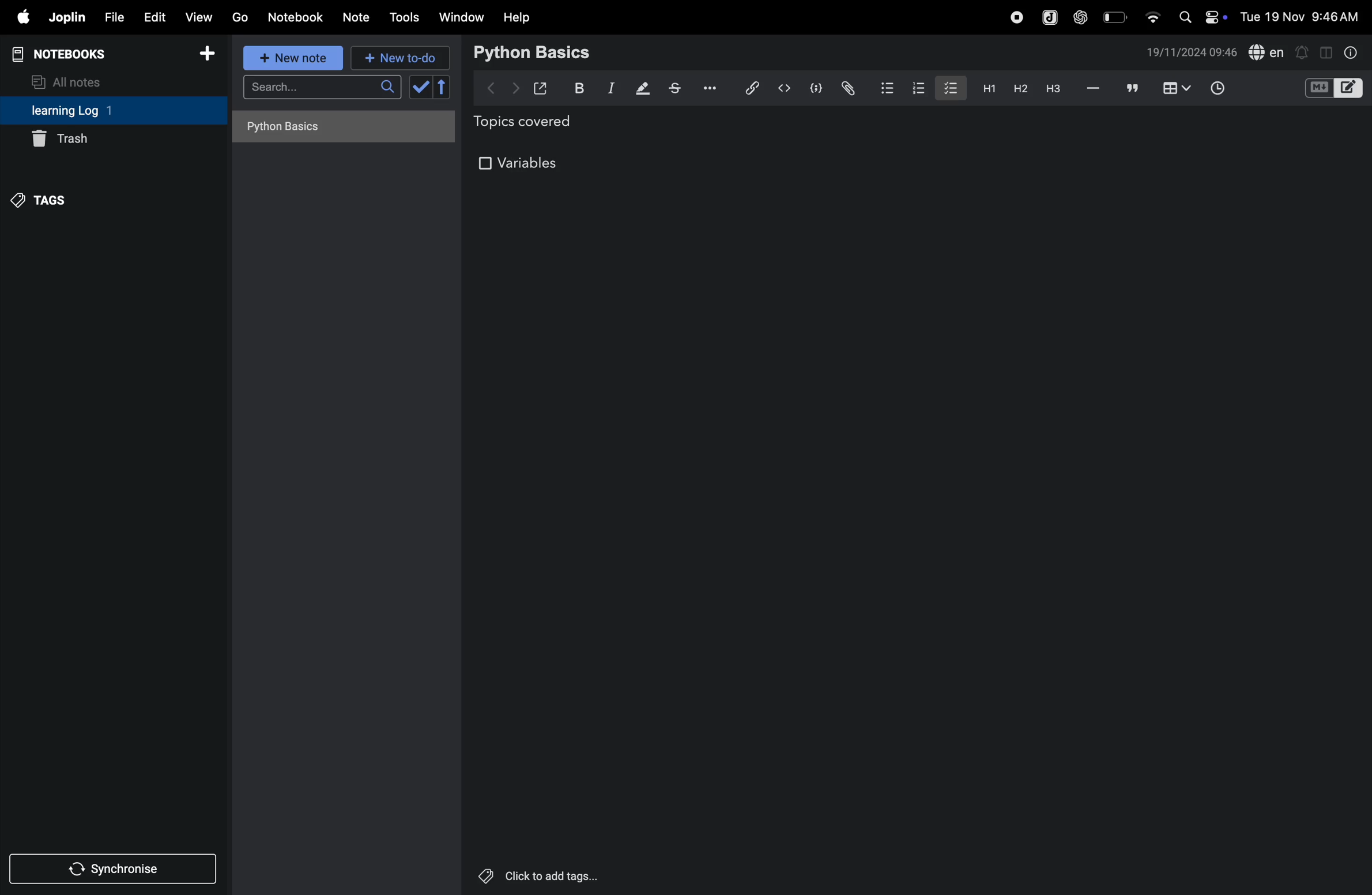 Image resolution: width=1372 pixels, height=895 pixels. Describe the element at coordinates (522, 164) in the screenshot. I see `variables` at that location.